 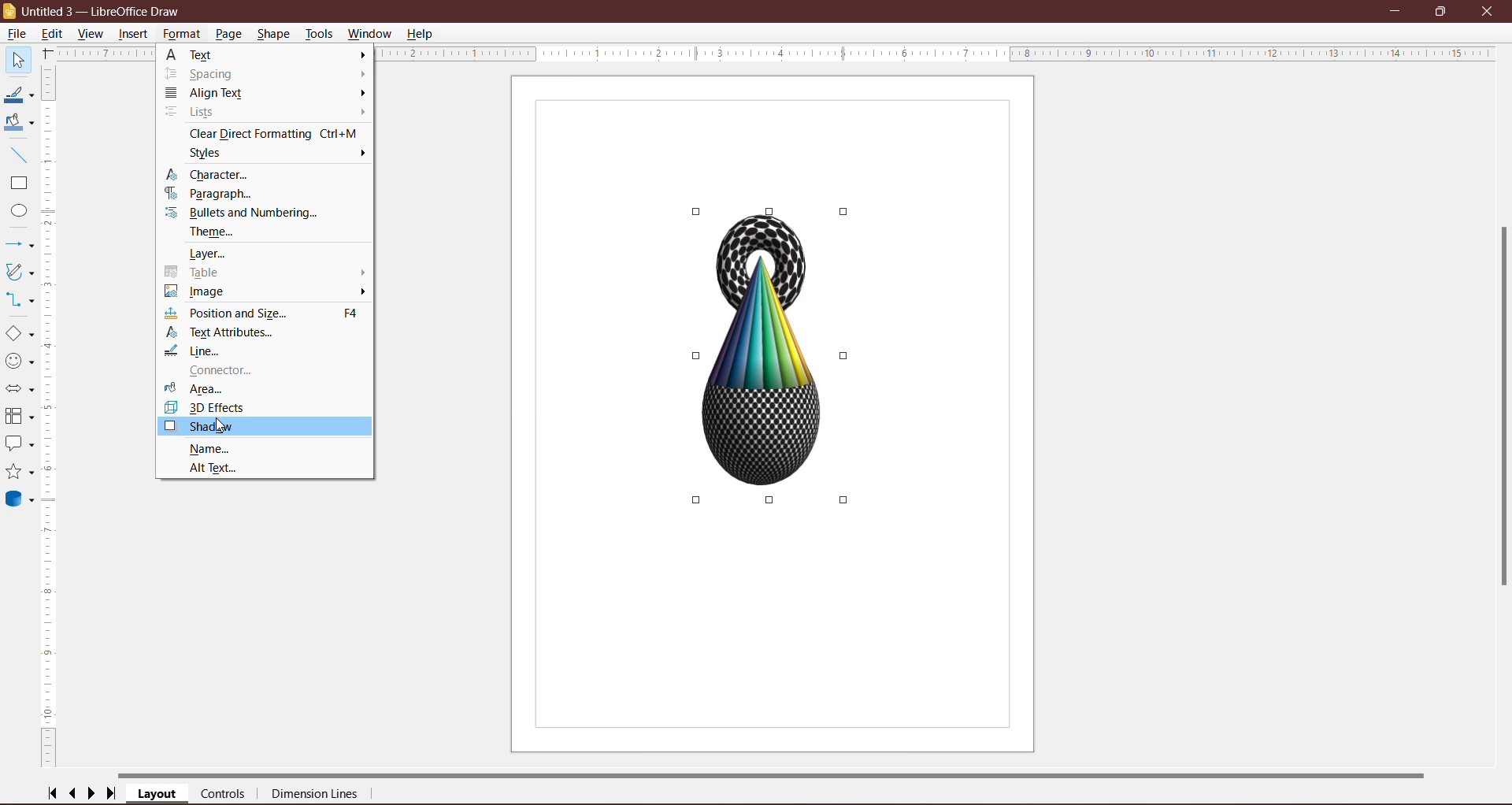 I want to click on Insert Line, so click(x=19, y=154).